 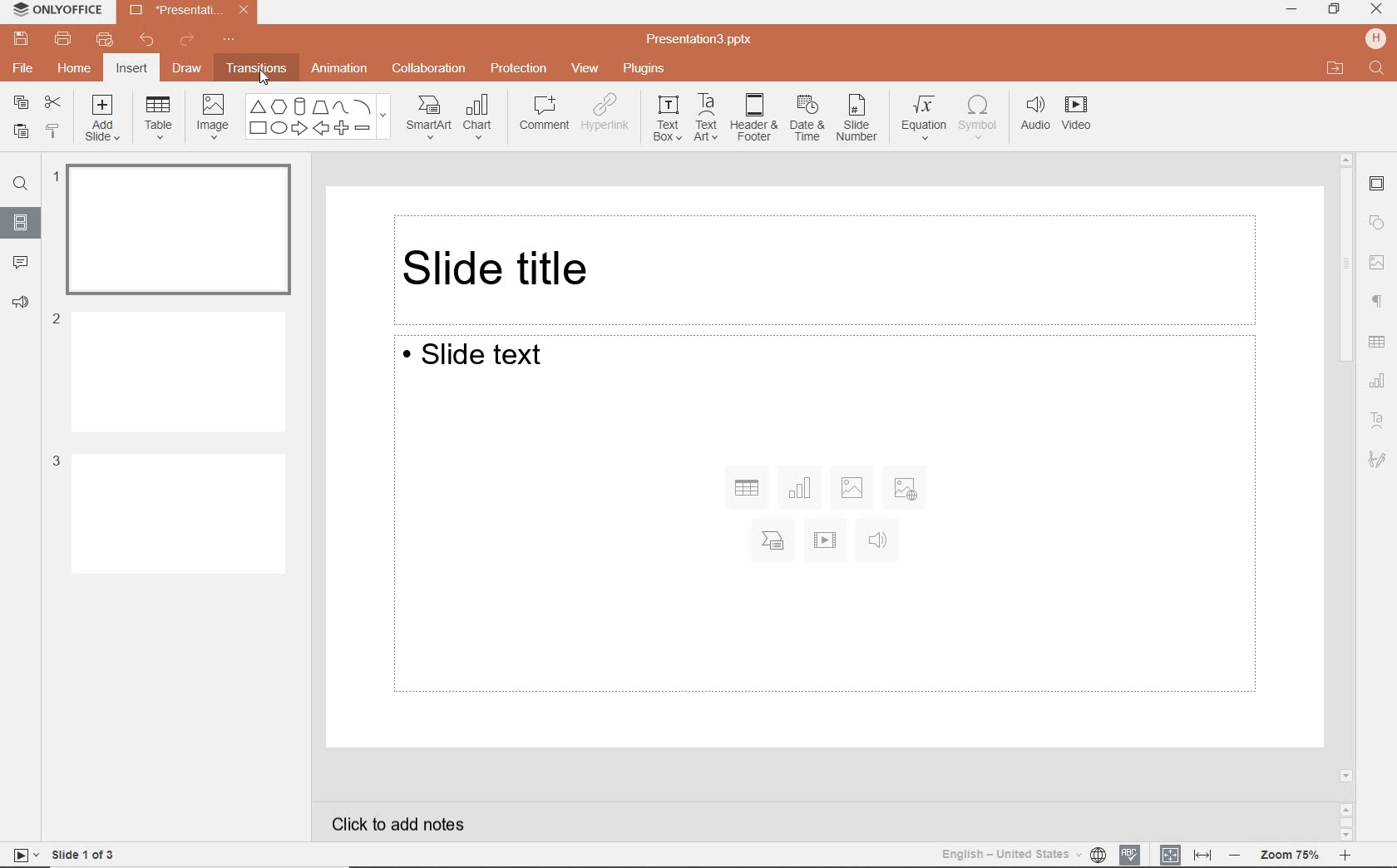 What do you see at coordinates (299, 106) in the screenshot?
I see `CUBE` at bounding box center [299, 106].